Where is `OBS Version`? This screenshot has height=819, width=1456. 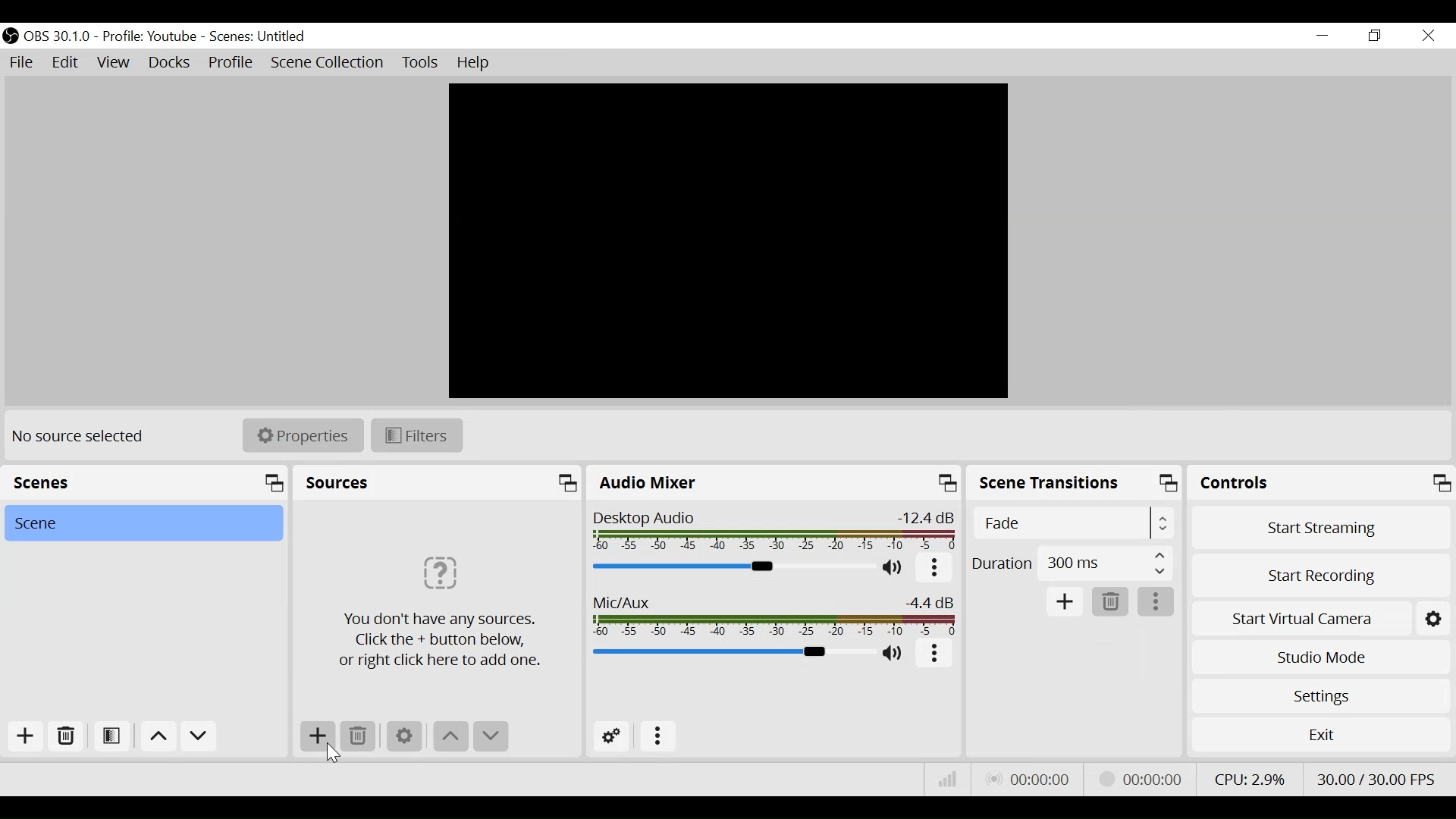
OBS Version is located at coordinates (58, 36).